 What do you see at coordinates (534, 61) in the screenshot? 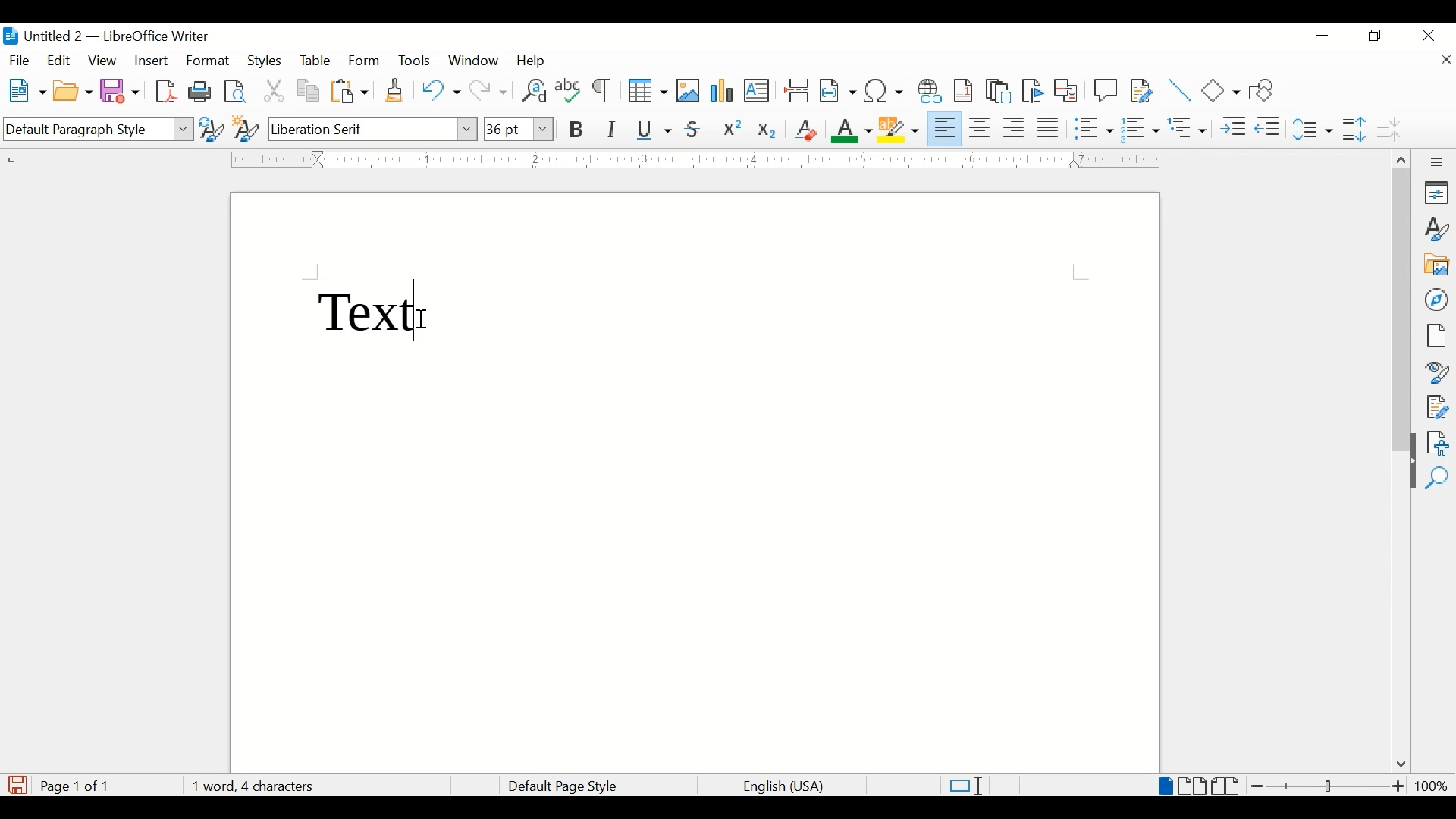
I see `help` at bounding box center [534, 61].